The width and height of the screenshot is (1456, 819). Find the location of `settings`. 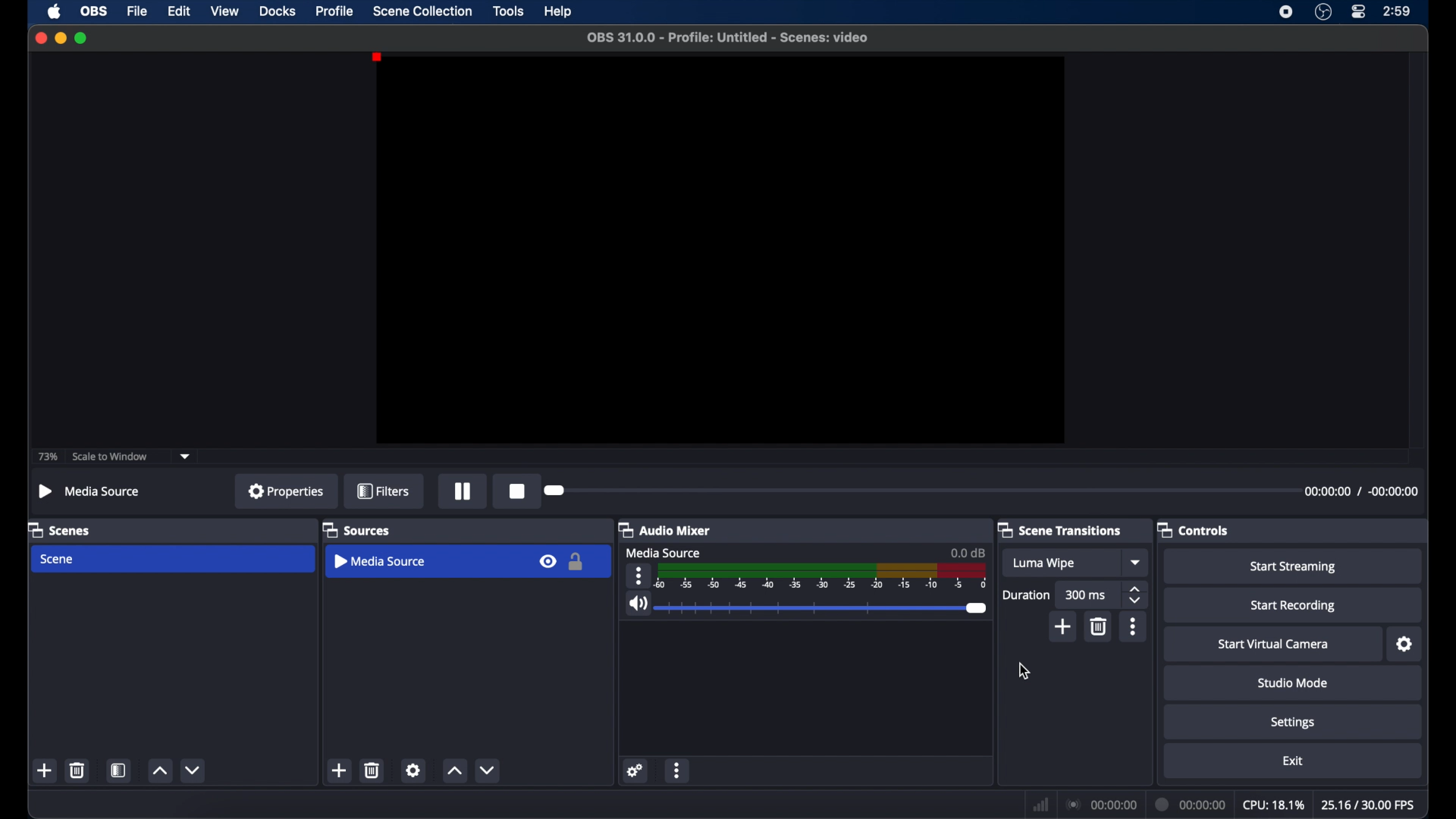

settings is located at coordinates (635, 771).